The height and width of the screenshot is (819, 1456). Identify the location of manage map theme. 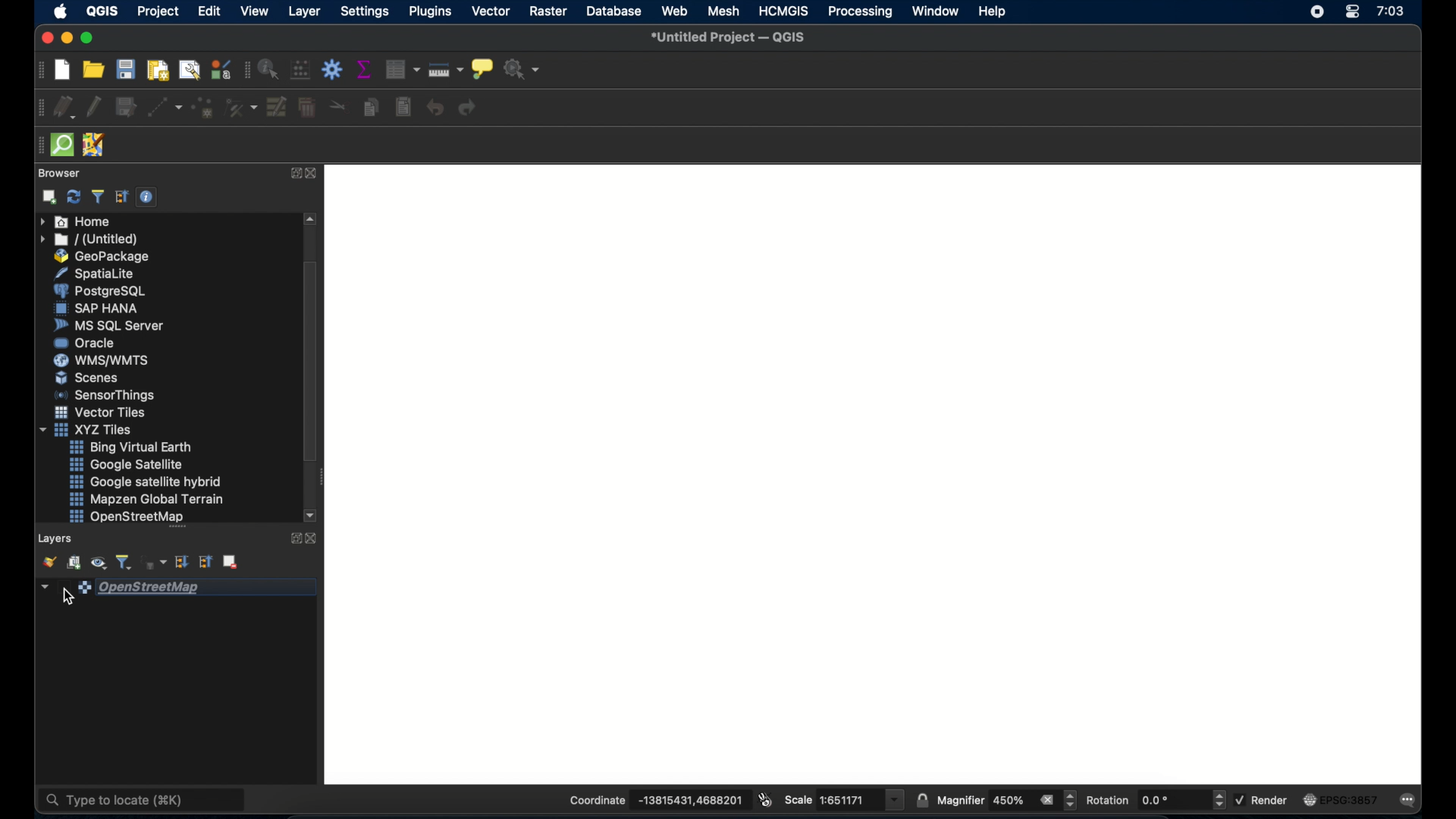
(98, 563).